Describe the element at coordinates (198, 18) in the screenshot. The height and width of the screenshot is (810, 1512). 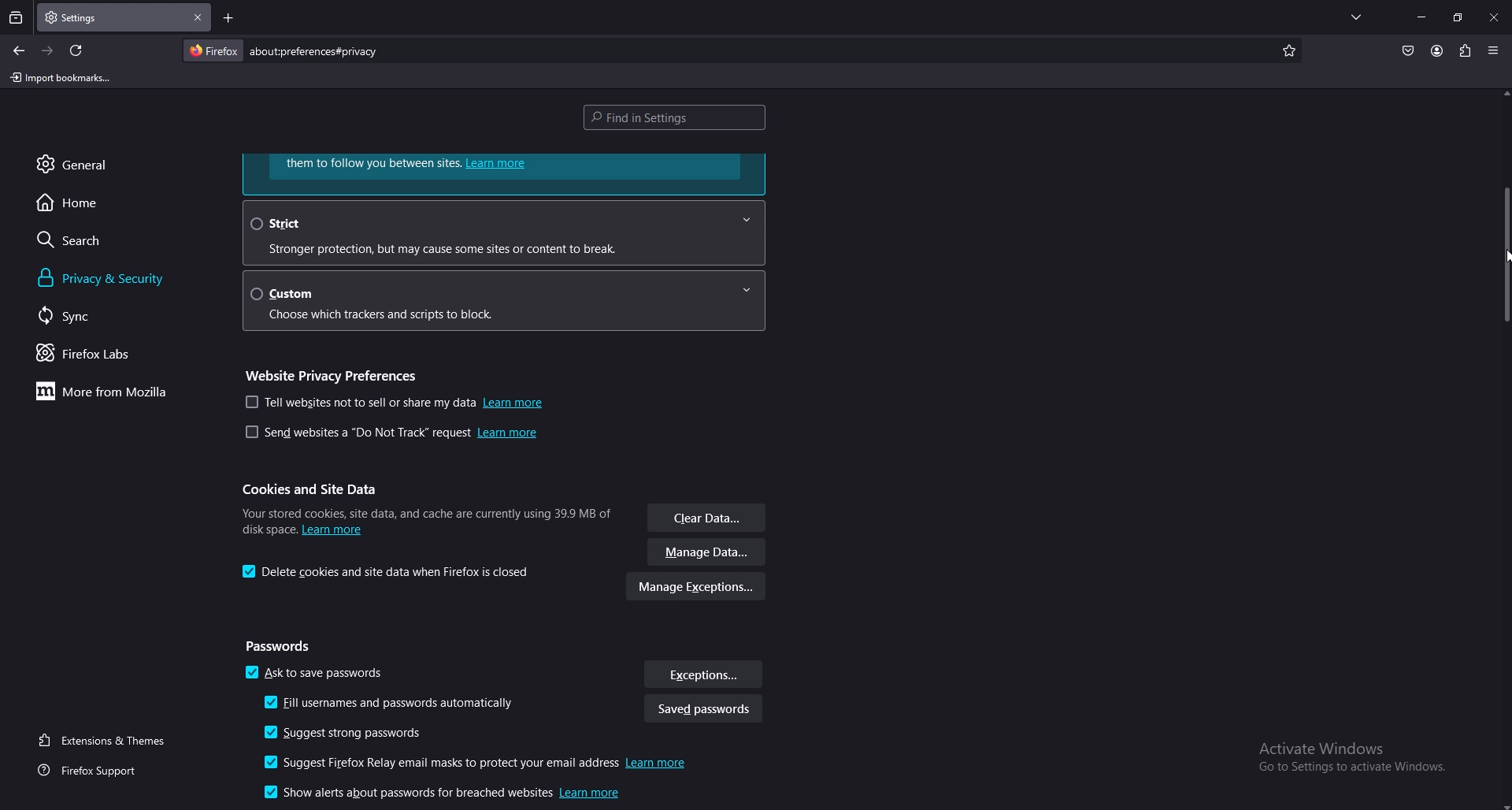
I see `close tab` at that location.